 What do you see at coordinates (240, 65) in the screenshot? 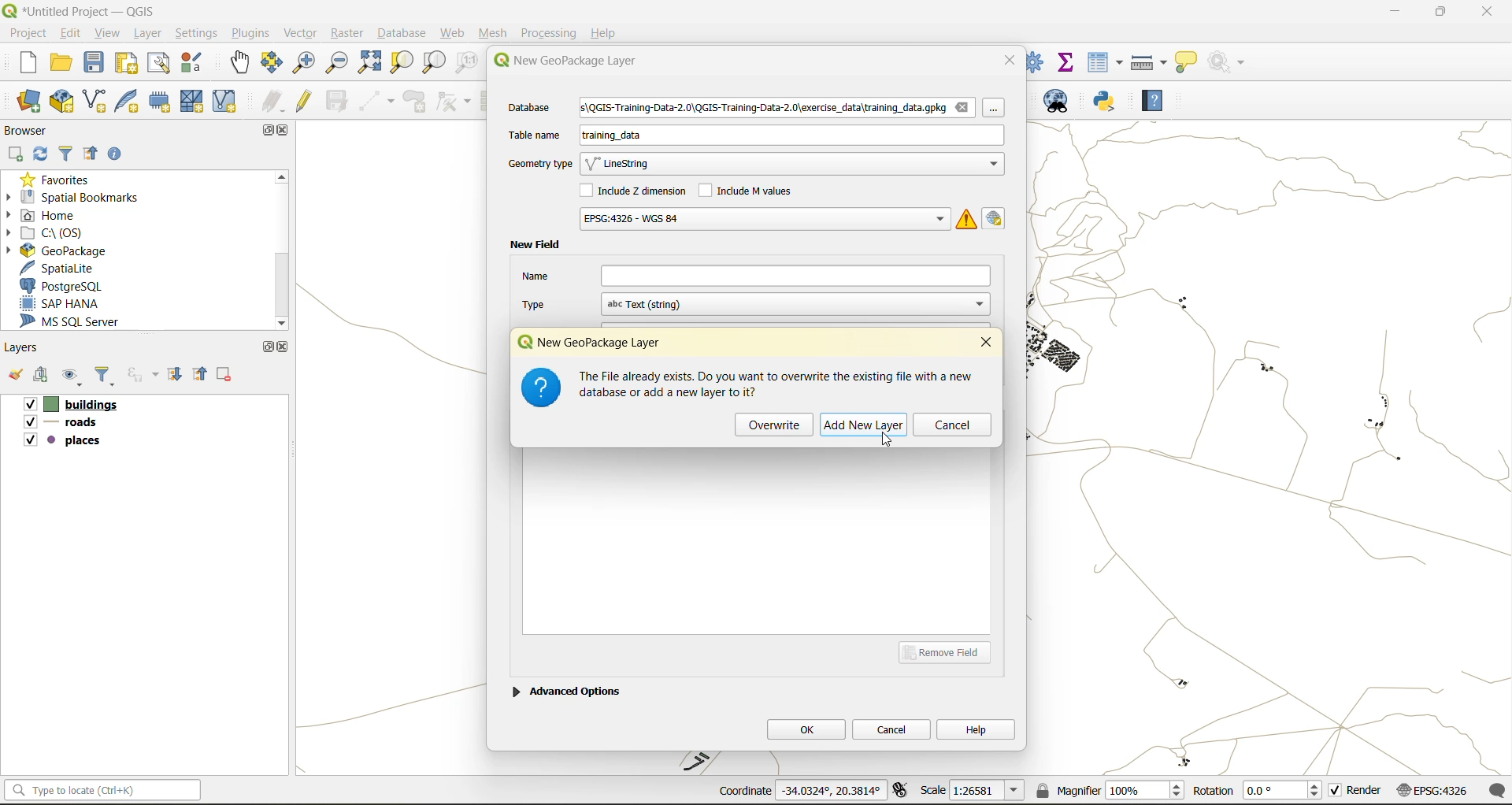
I see `pan map` at bounding box center [240, 65].